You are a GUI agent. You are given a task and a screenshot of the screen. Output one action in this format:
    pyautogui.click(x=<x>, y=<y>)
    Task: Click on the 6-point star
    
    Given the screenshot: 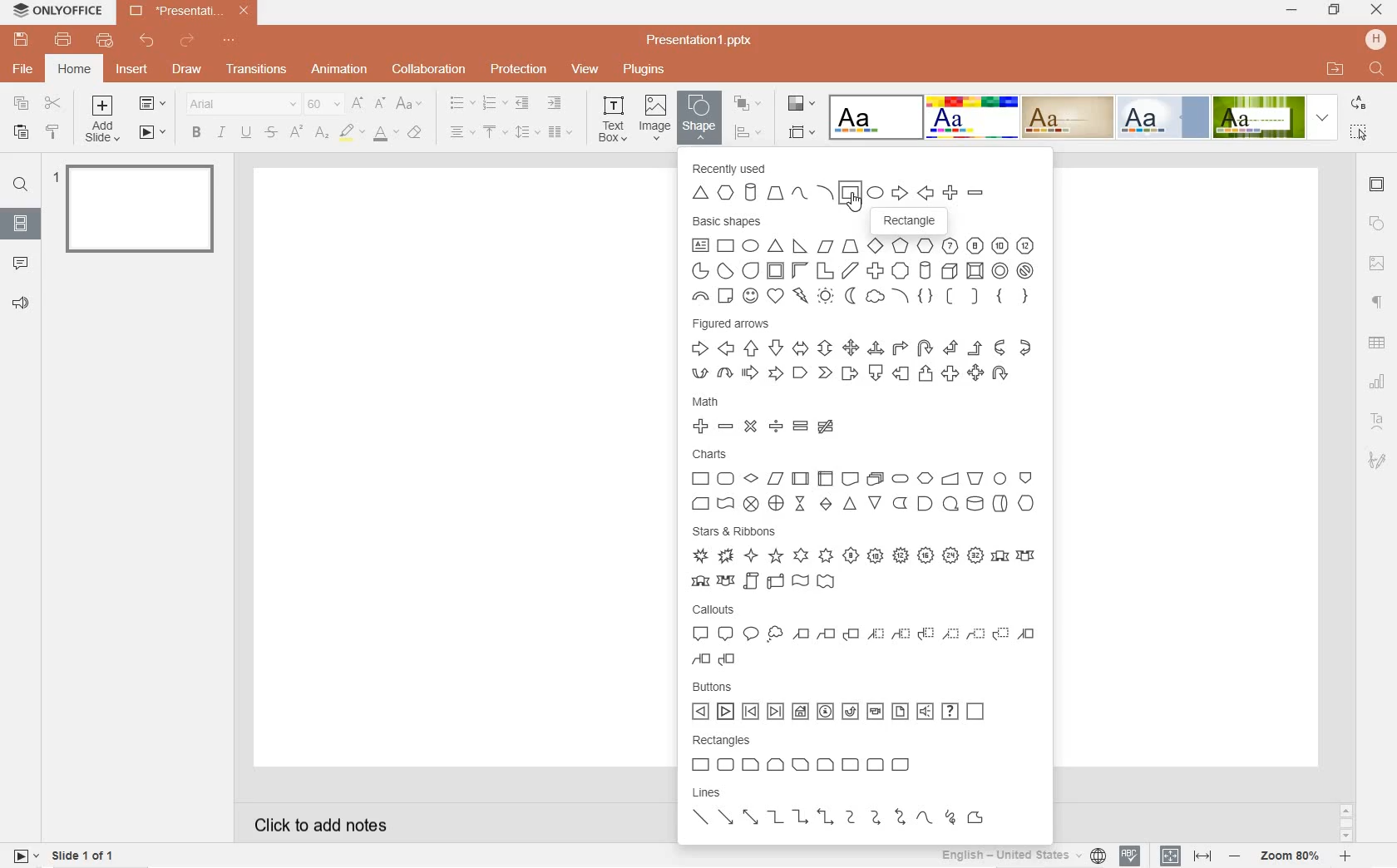 What is the action you would take?
    pyautogui.click(x=802, y=557)
    